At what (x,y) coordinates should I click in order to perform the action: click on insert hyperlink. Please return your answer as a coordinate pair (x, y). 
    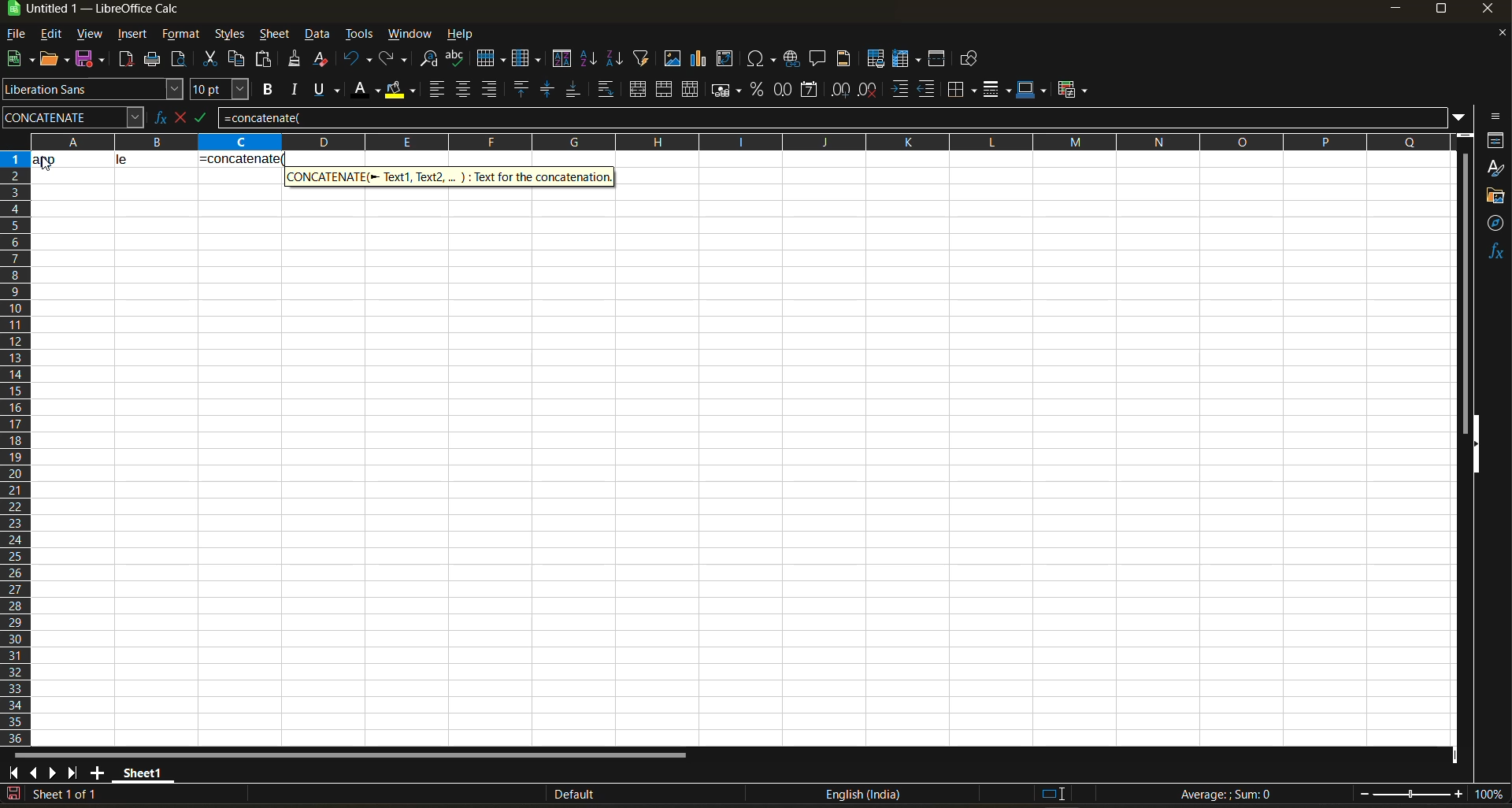
    Looking at the image, I should click on (794, 58).